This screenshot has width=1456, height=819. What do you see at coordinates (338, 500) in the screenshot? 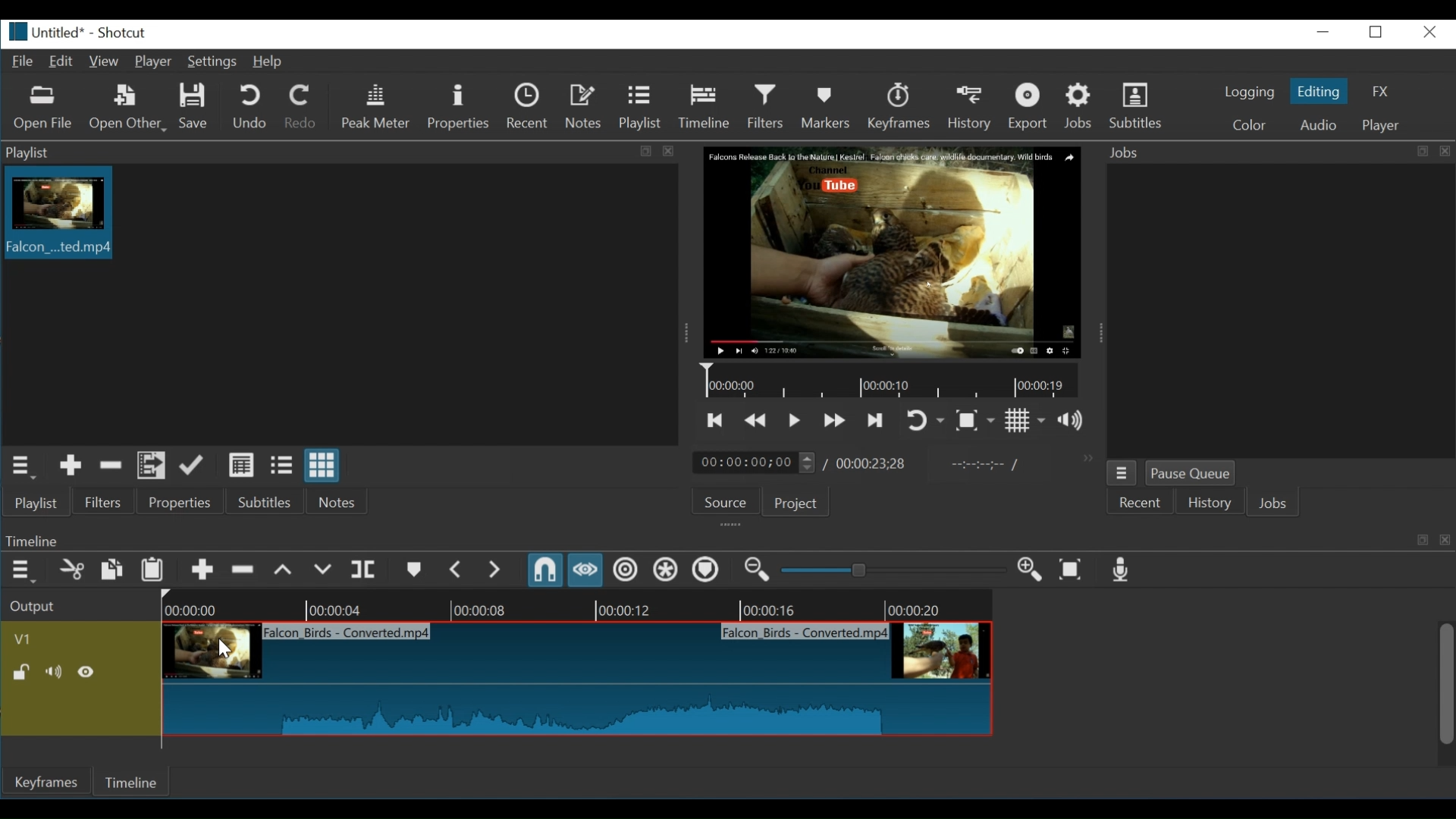
I see `Notes` at bounding box center [338, 500].